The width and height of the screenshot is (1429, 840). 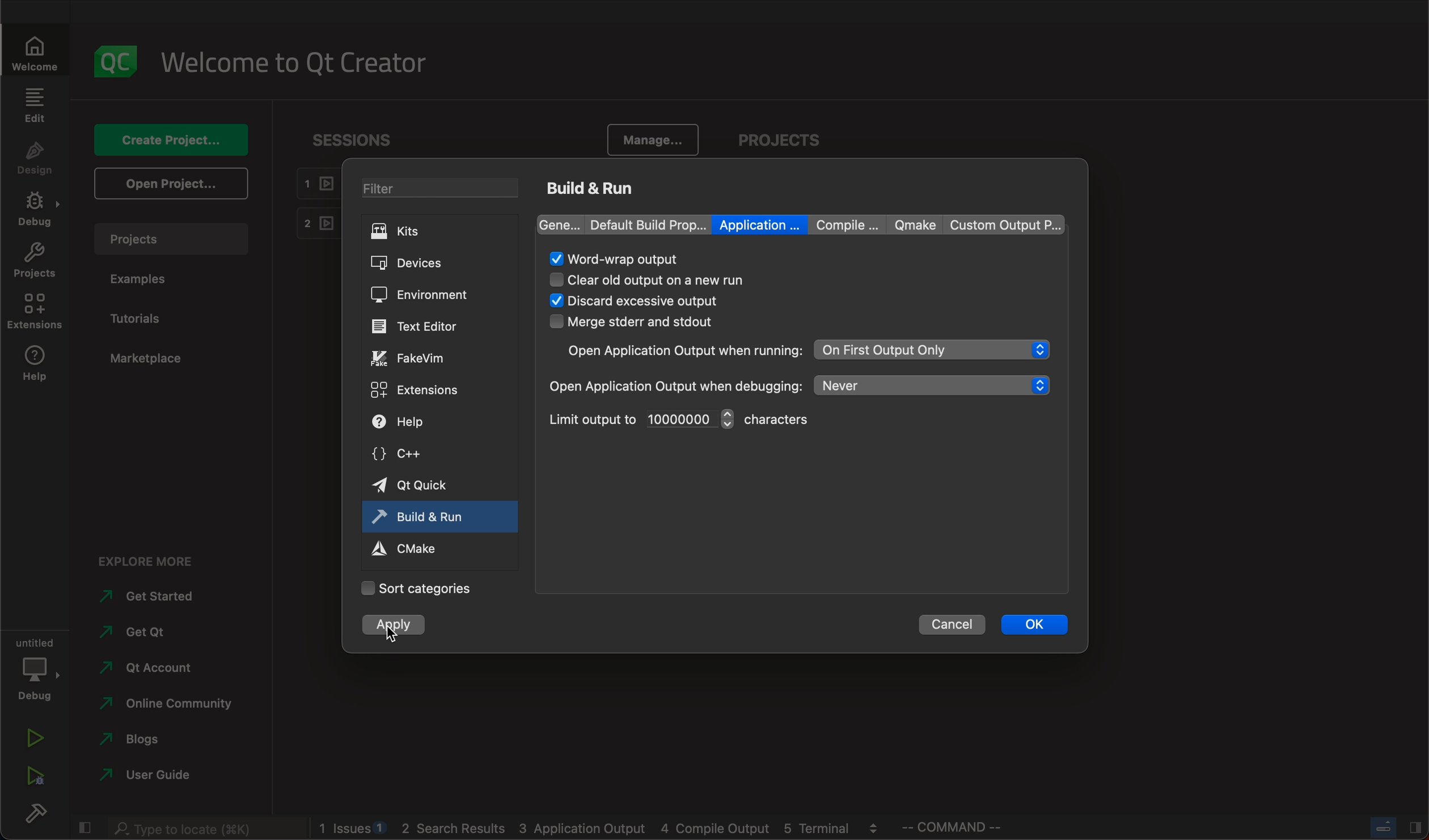 I want to click on logo, so click(x=114, y=59).